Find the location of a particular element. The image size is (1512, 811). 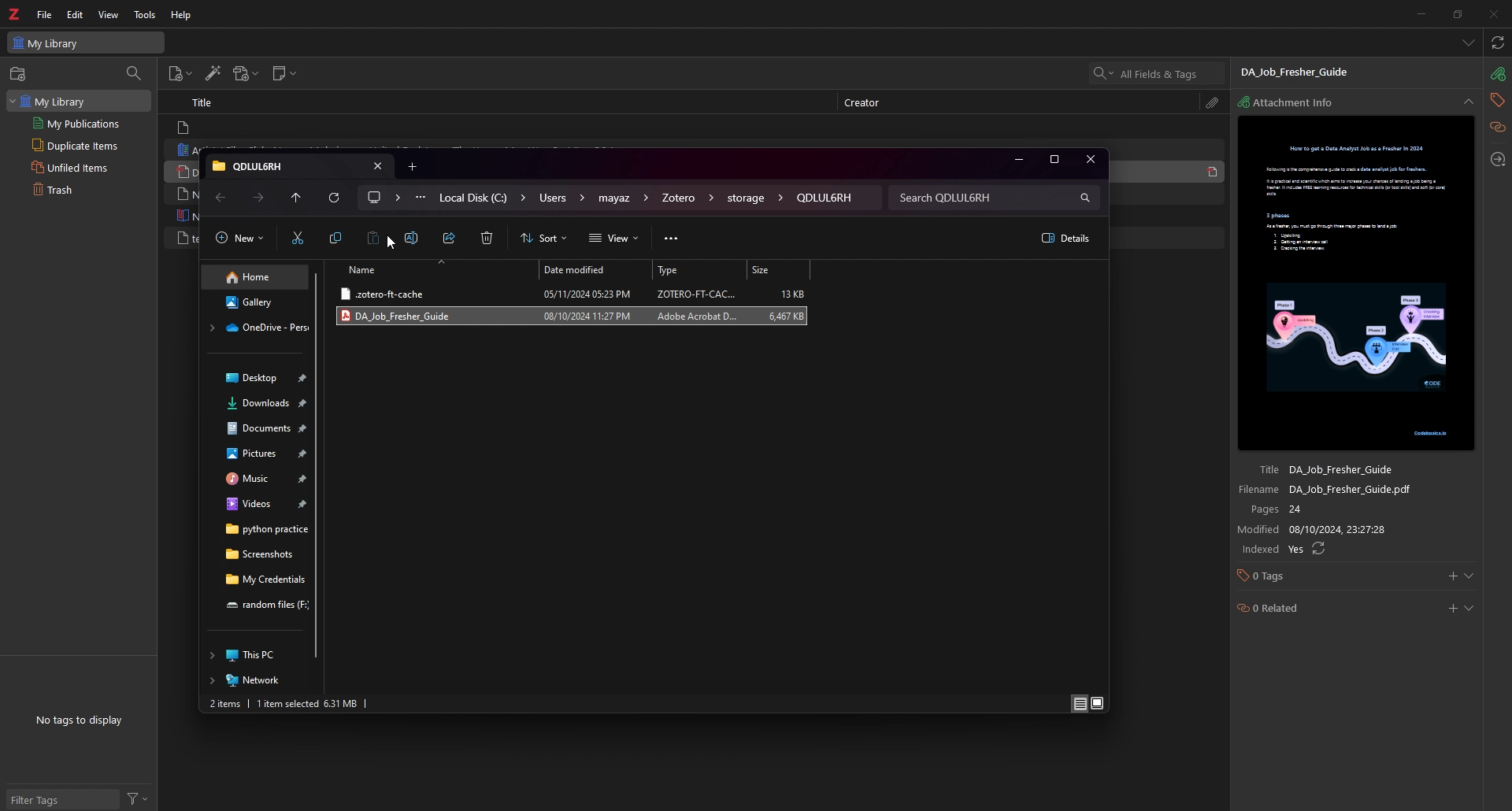

folder is located at coordinates (258, 531).